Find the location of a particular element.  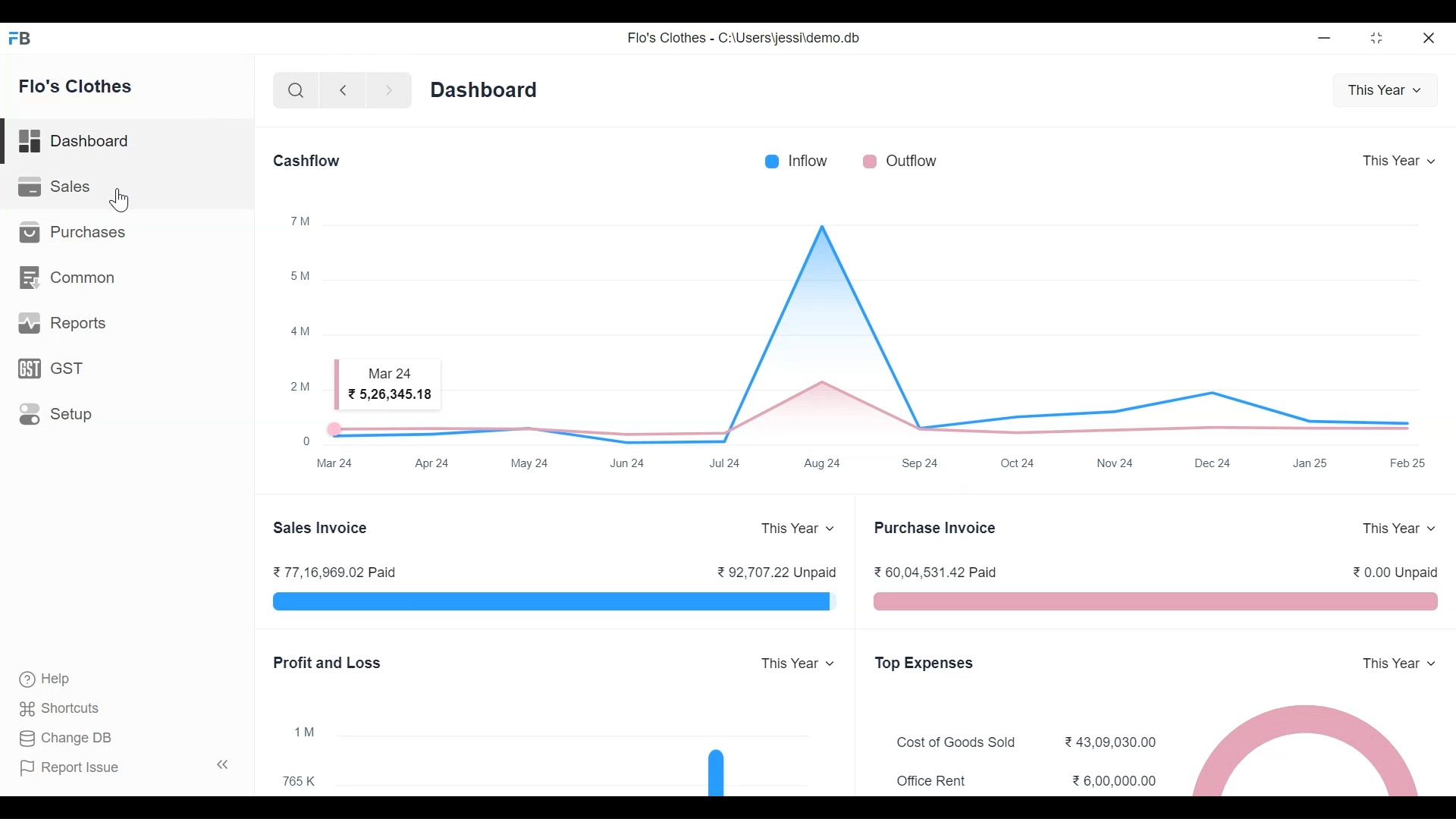

This Year  is located at coordinates (1400, 528).